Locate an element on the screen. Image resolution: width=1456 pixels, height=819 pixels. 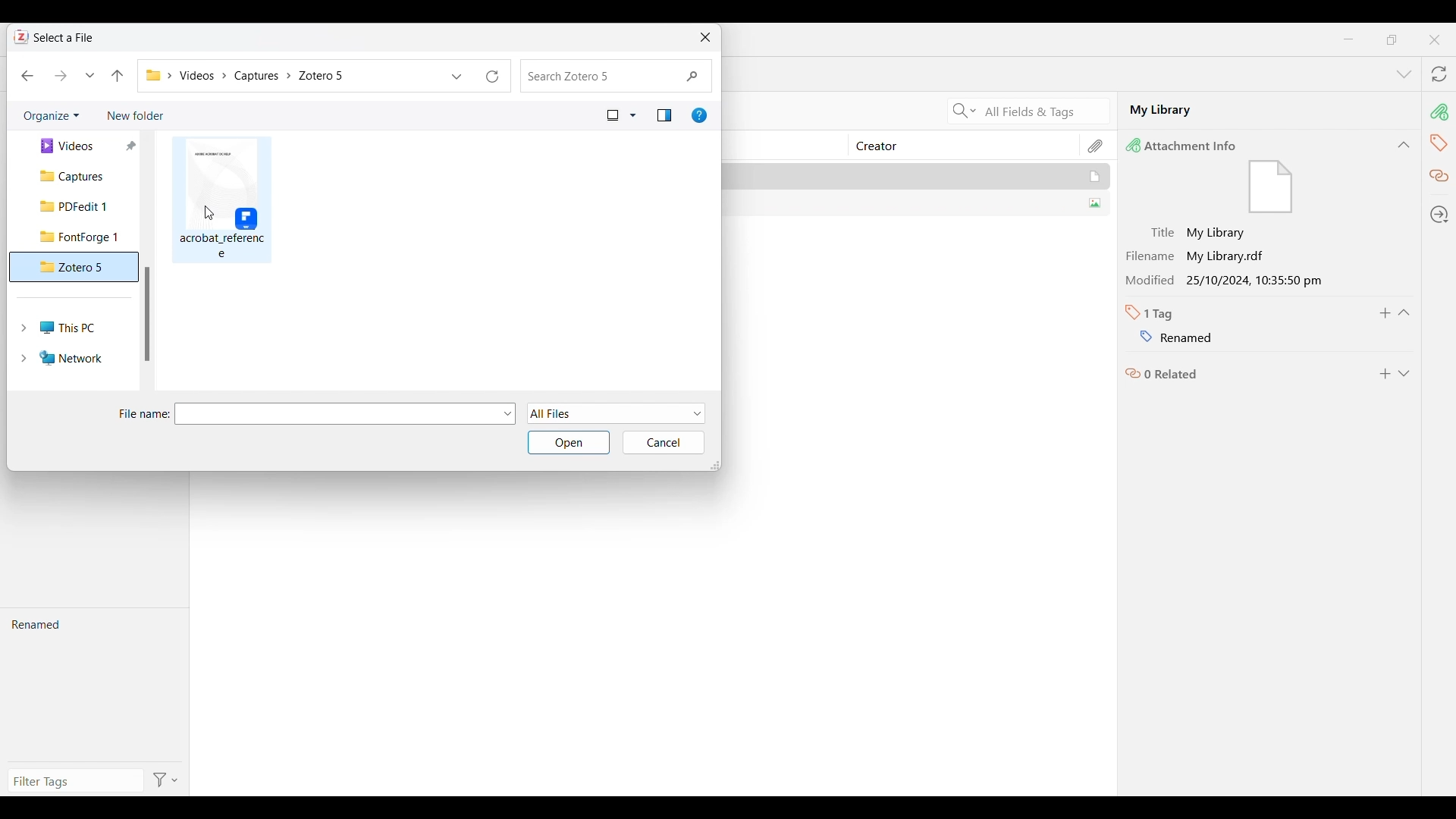
Zotero 5 folder is located at coordinates (74, 268).